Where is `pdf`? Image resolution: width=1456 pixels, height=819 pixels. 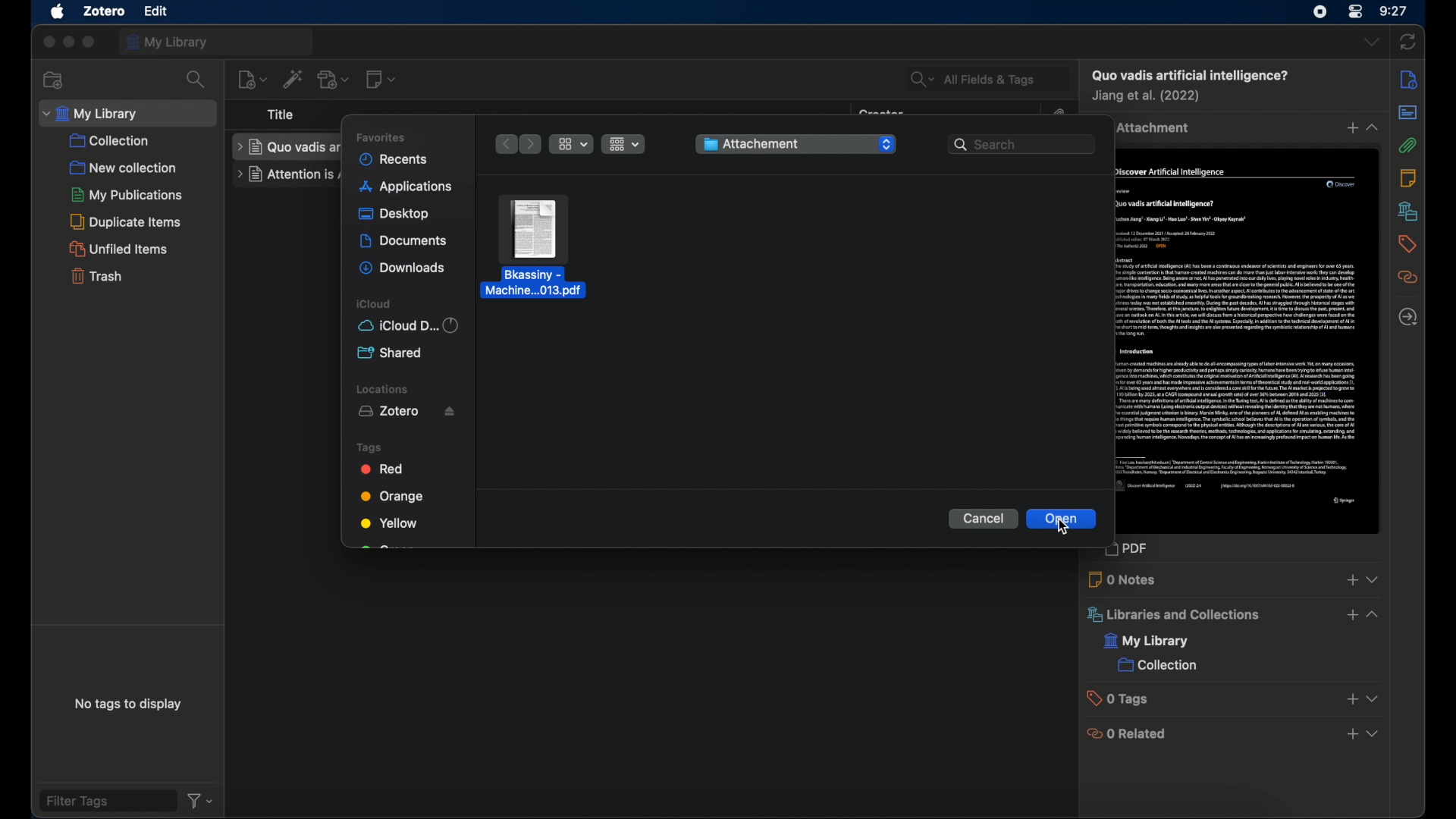
pdf is located at coordinates (1135, 551).